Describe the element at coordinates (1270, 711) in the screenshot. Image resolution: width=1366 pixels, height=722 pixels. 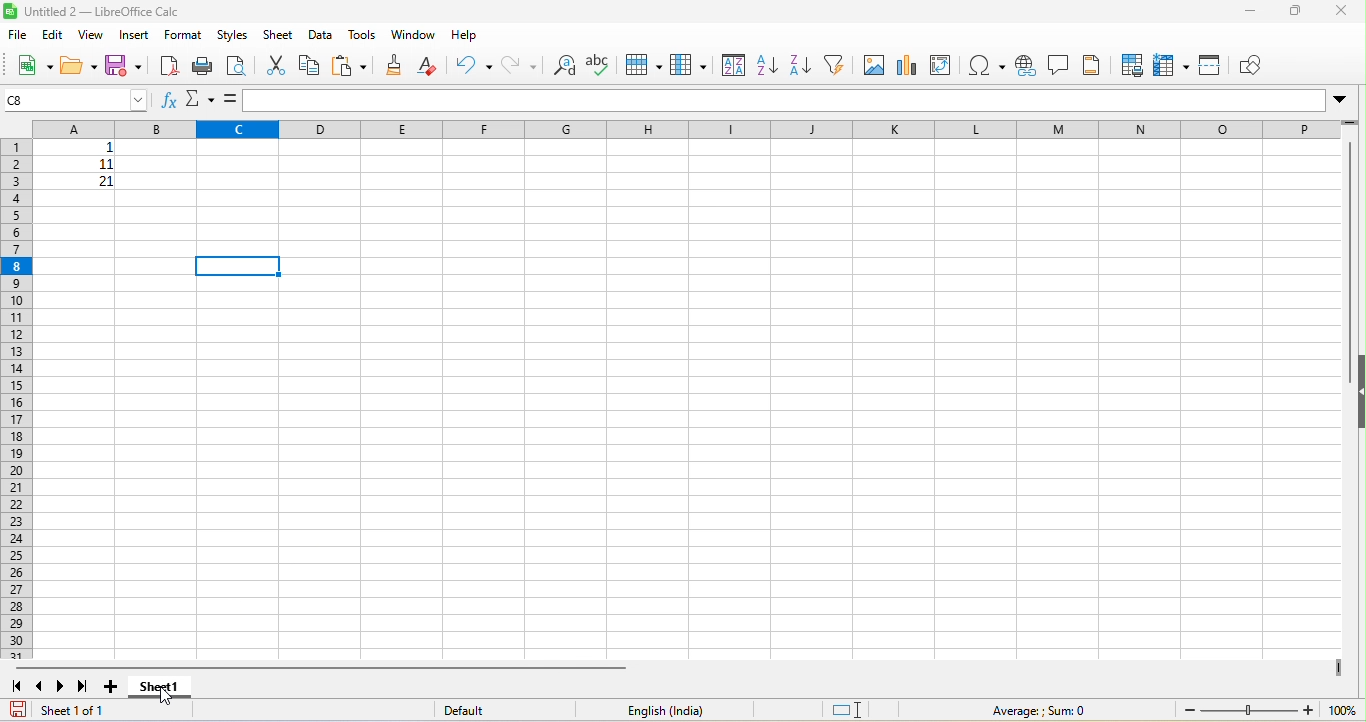
I see `zoom` at that location.